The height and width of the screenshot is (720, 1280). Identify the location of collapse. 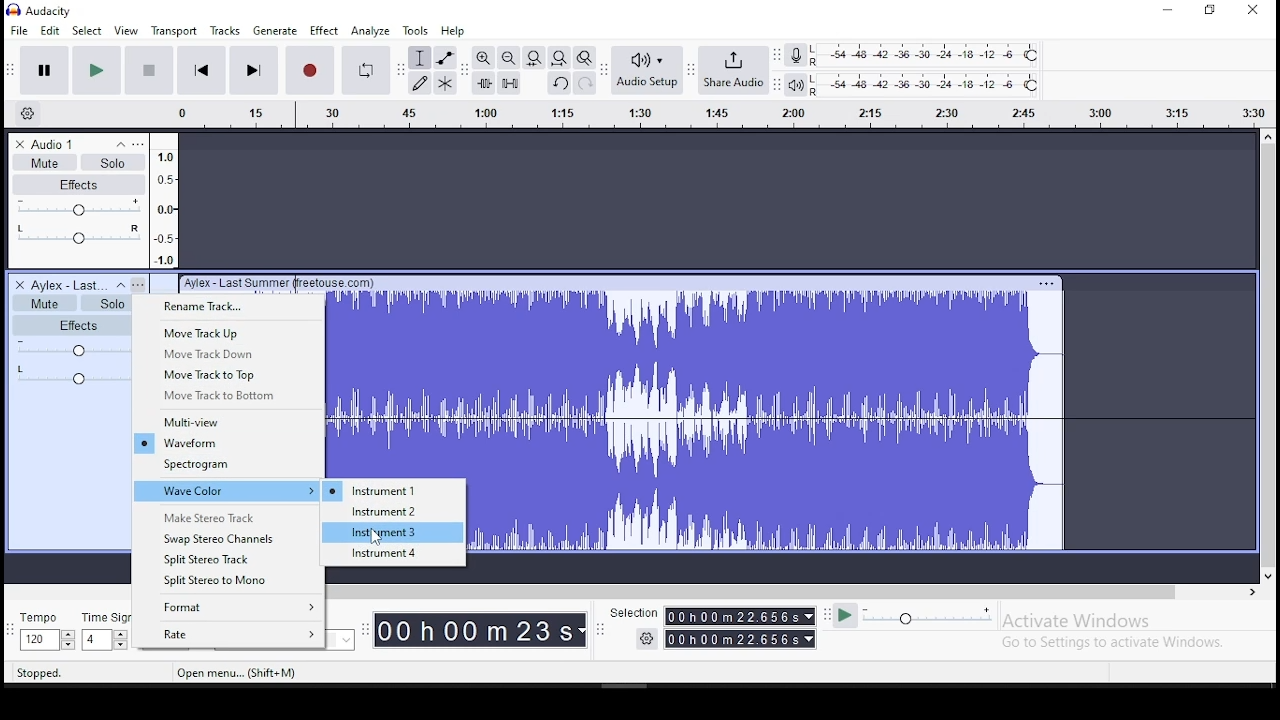
(119, 144).